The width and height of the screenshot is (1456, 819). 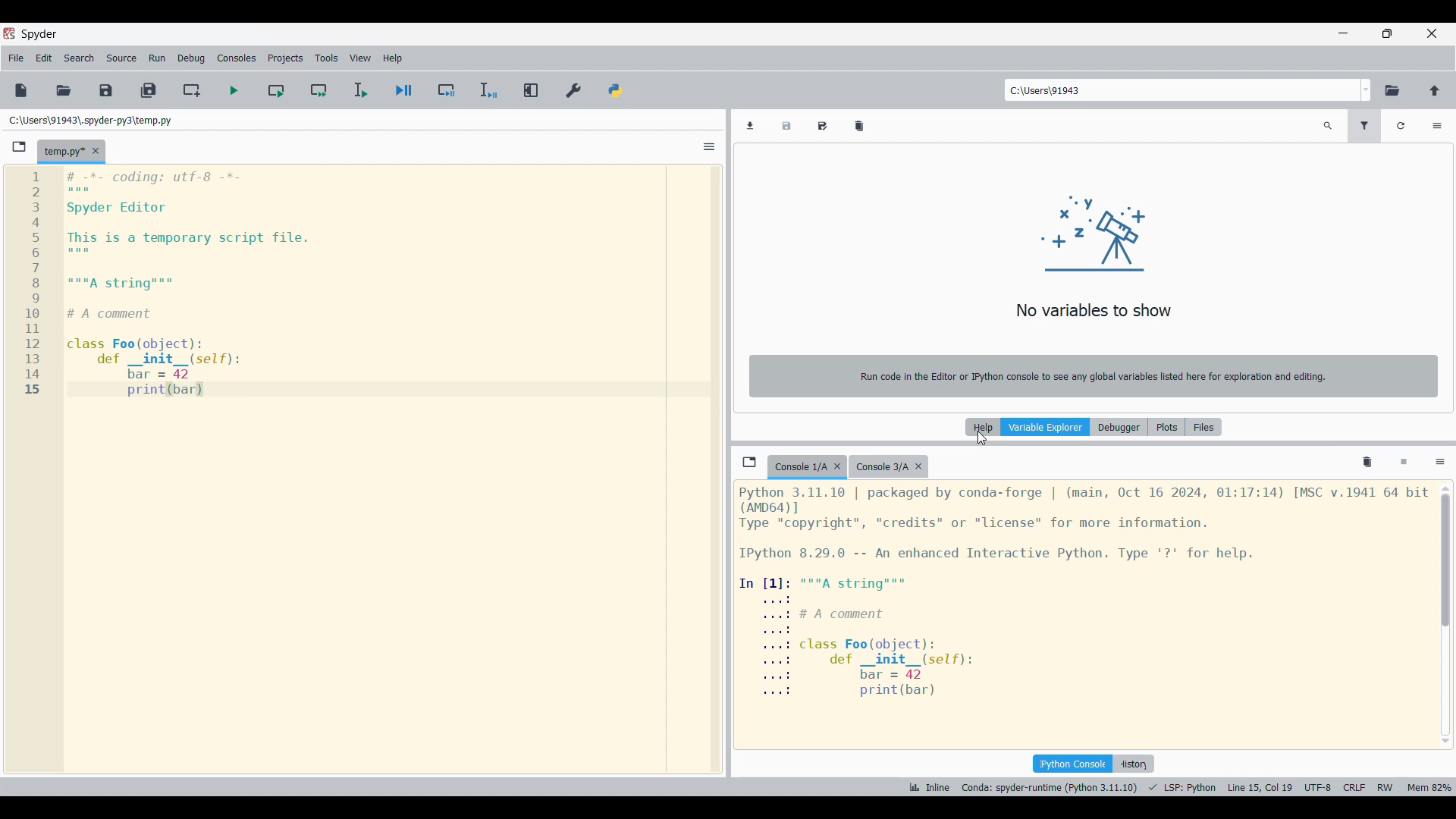 What do you see at coordinates (1393, 90) in the screenshot?
I see `Browse working directory` at bounding box center [1393, 90].